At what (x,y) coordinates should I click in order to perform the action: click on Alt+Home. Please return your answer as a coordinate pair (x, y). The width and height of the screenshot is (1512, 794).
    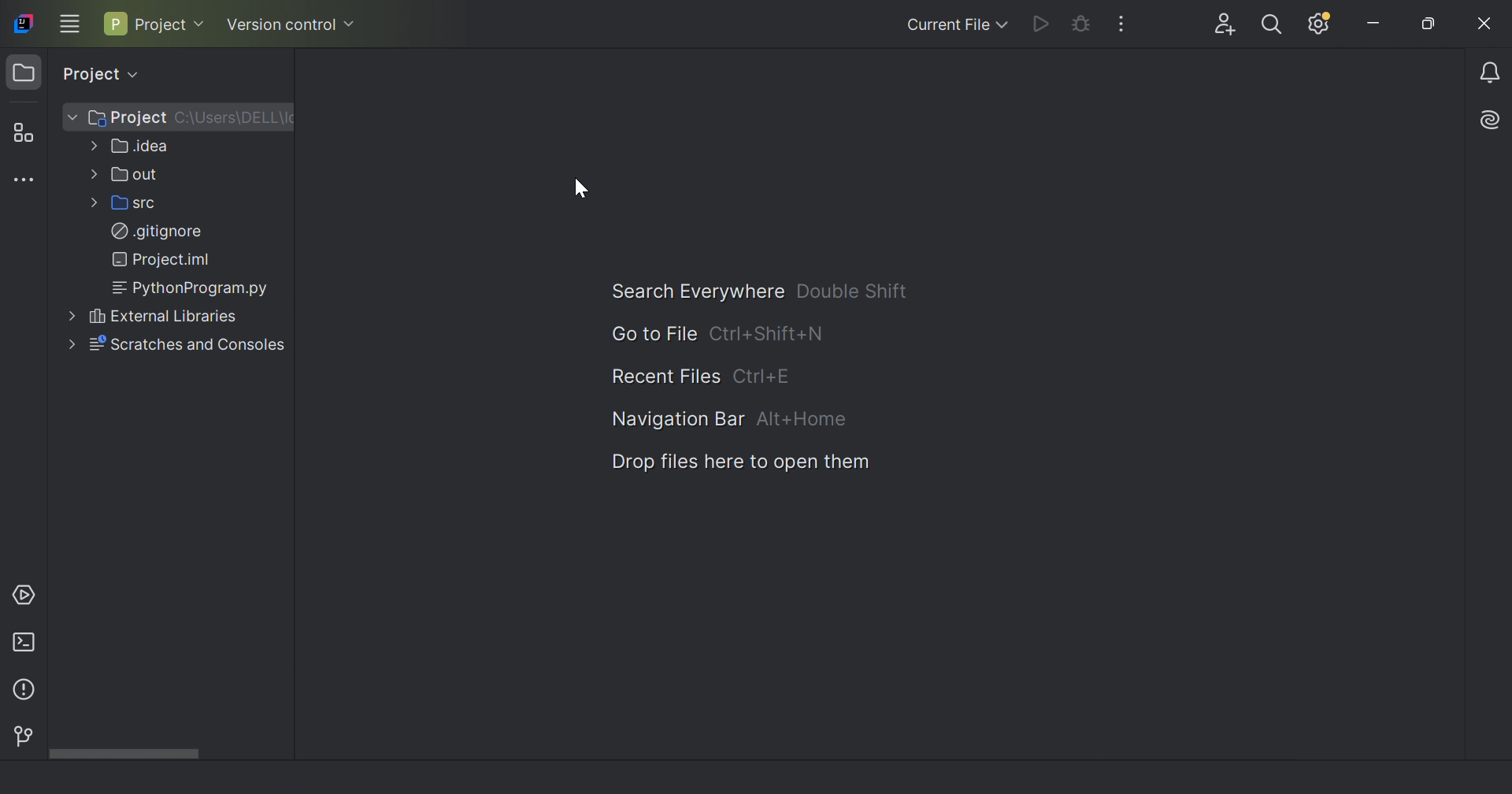
    Looking at the image, I should click on (802, 417).